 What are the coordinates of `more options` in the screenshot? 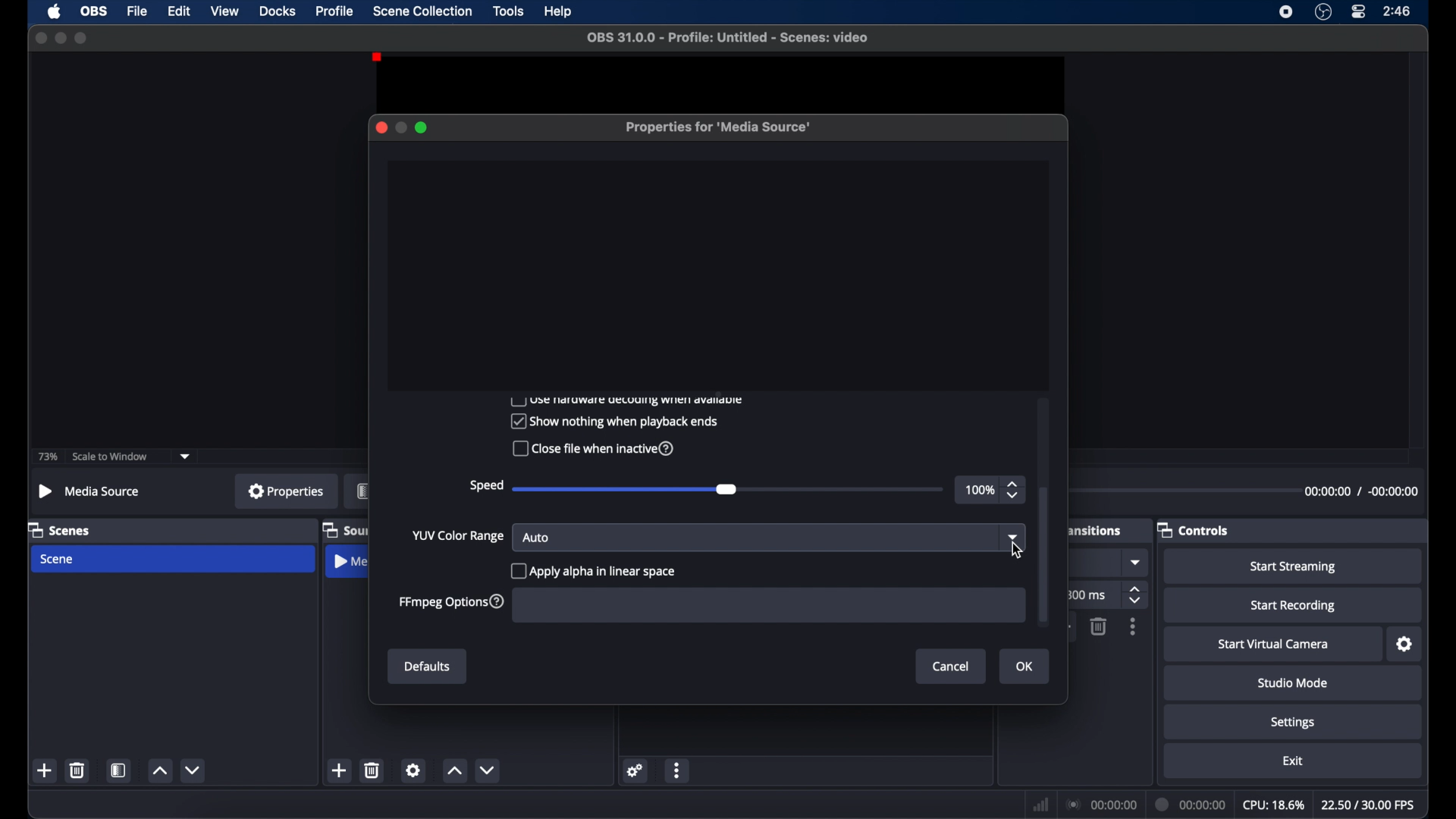 It's located at (1134, 627).